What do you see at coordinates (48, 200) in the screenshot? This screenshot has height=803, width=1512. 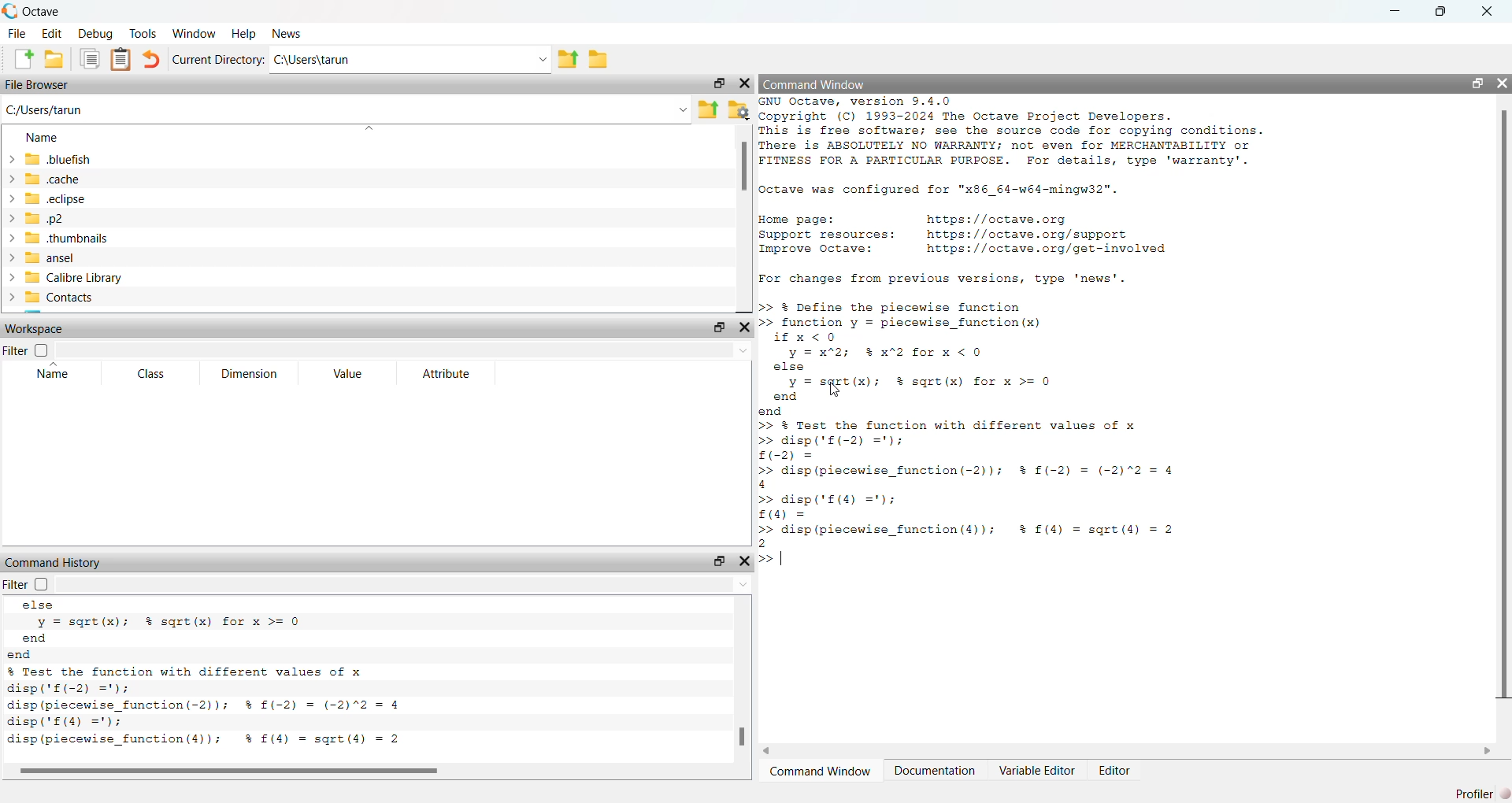 I see `> eclipse` at bounding box center [48, 200].